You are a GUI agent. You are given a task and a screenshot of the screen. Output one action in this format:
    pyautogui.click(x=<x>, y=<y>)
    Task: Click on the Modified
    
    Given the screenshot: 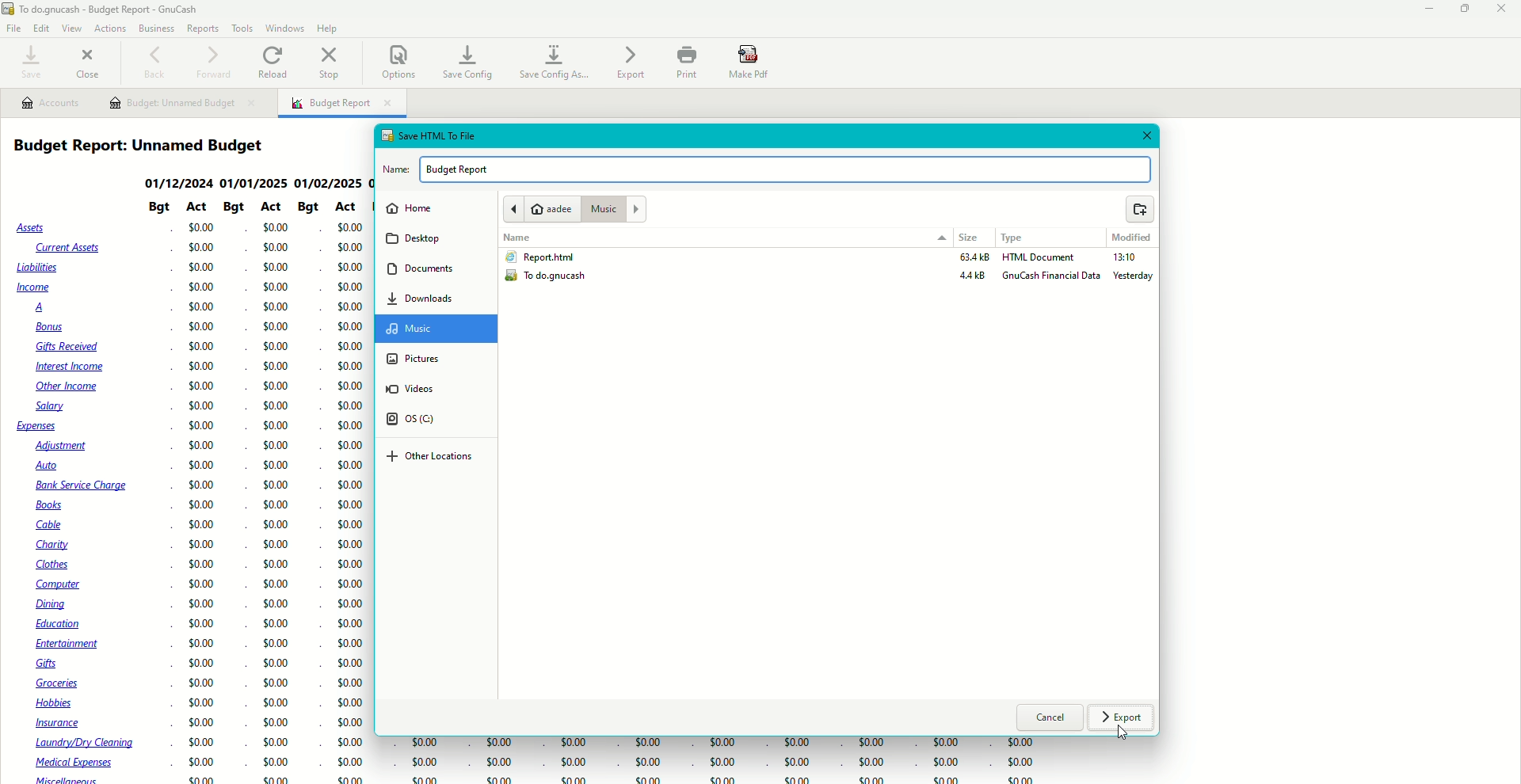 What is the action you would take?
    pyautogui.click(x=1130, y=238)
    